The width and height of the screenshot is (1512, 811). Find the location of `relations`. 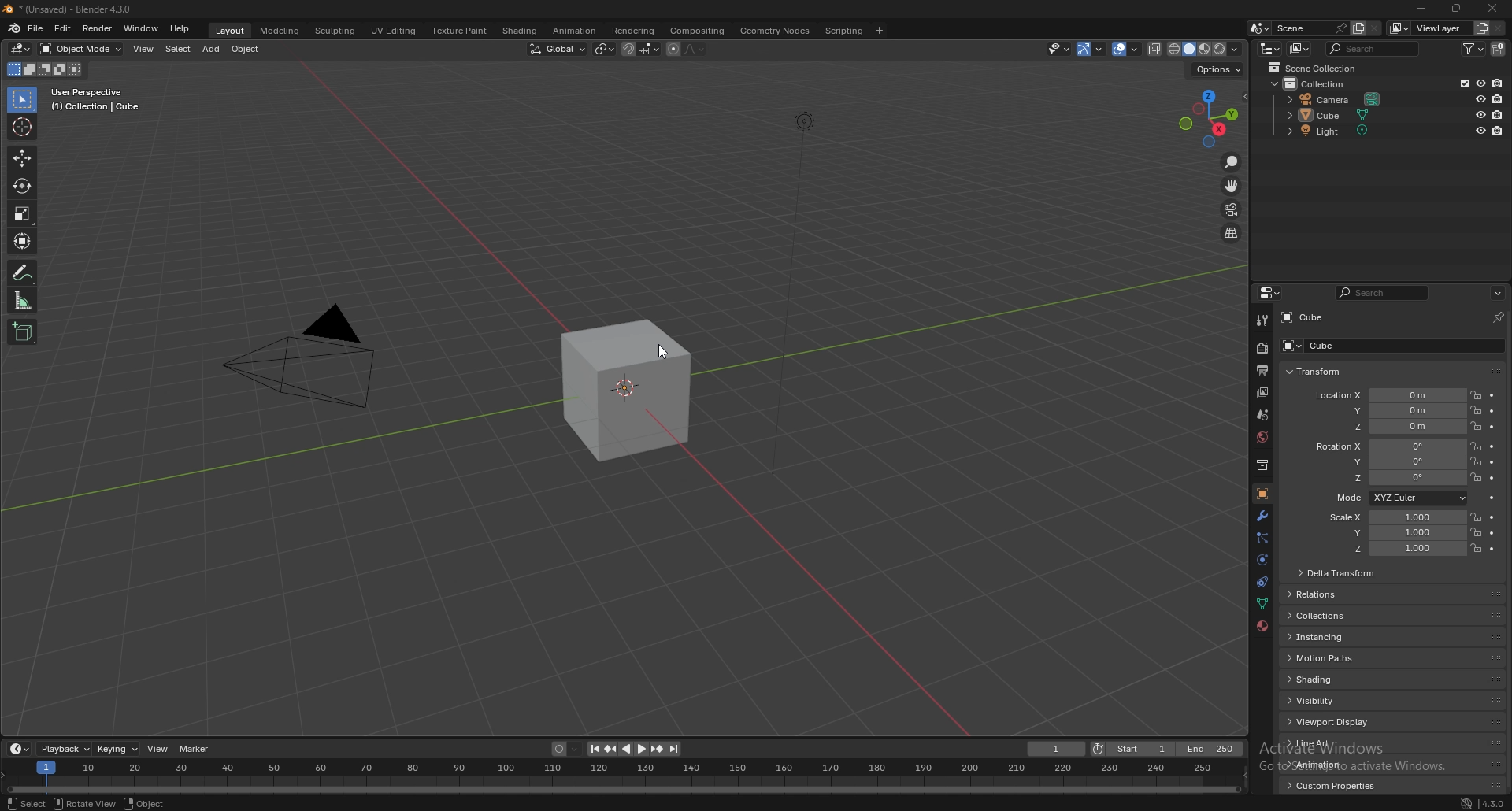

relations is located at coordinates (1325, 595).